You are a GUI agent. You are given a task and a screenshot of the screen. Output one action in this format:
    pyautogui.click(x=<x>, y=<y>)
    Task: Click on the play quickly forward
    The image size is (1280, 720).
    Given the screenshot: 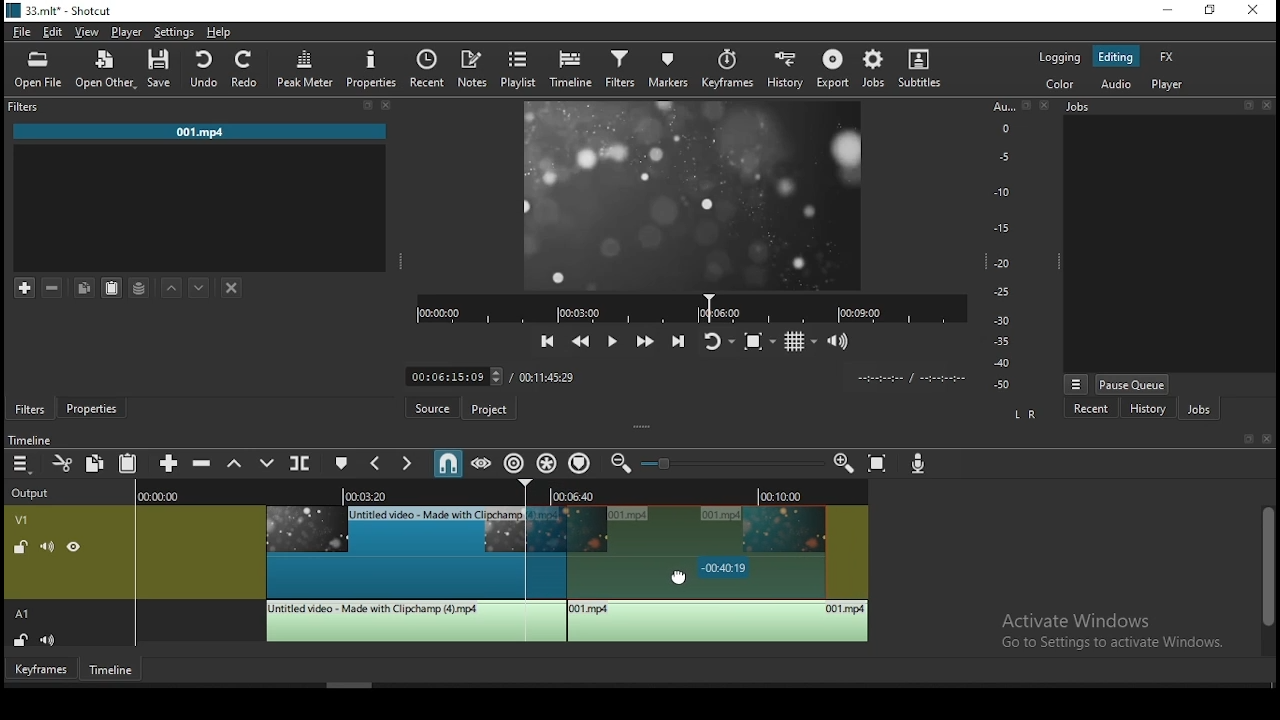 What is the action you would take?
    pyautogui.click(x=646, y=341)
    